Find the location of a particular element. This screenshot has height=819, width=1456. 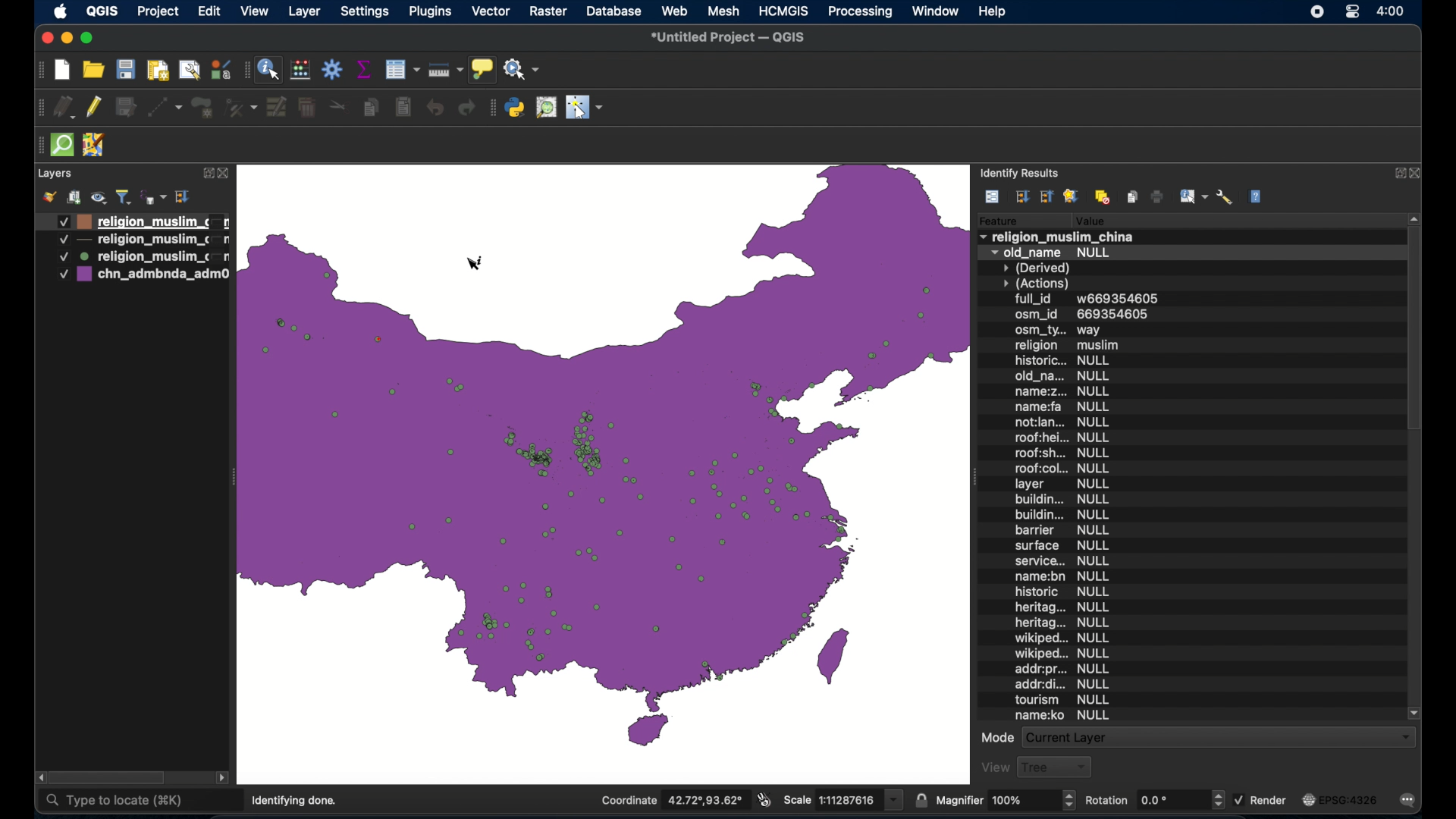

building is located at coordinates (1062, 499).